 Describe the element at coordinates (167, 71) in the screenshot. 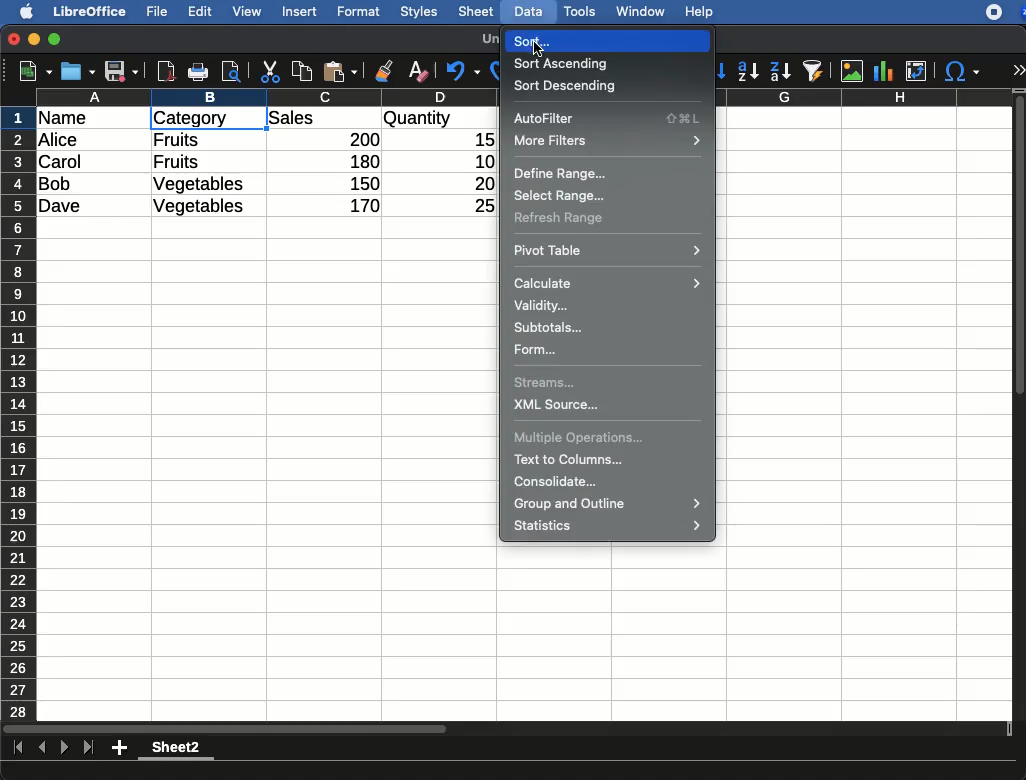

I see `pdf preview` at that location.